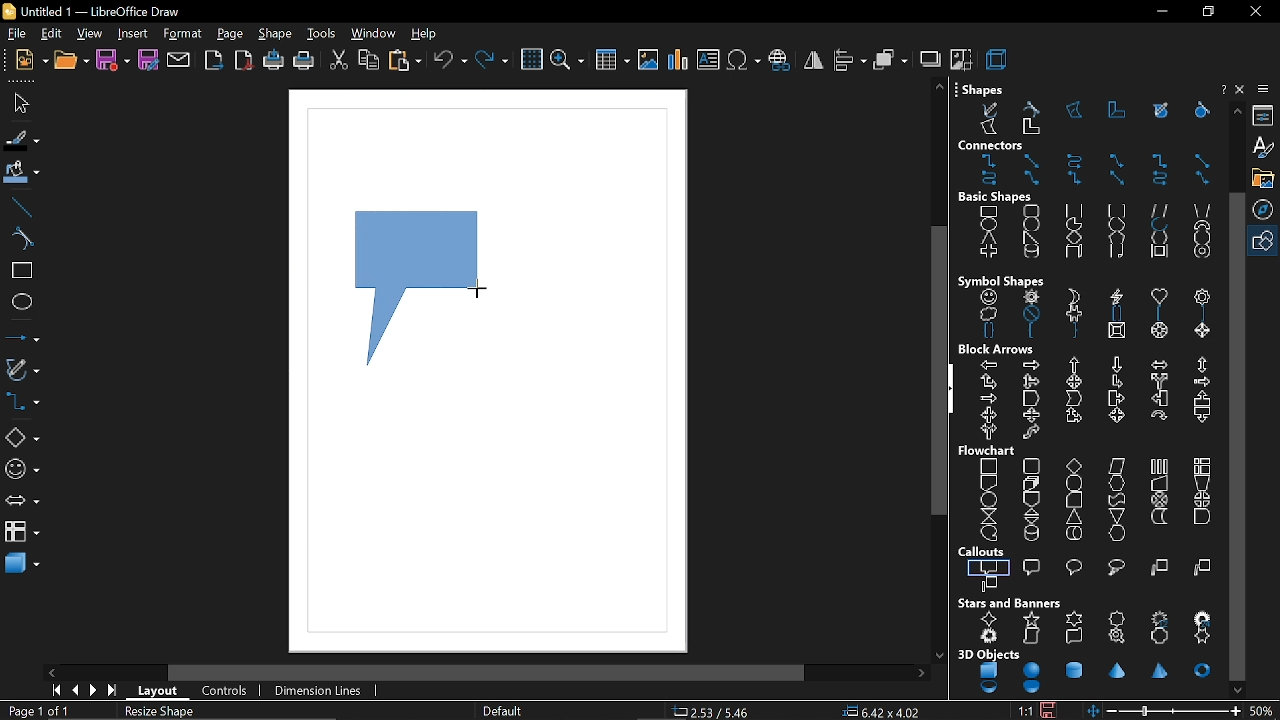 This screenshot has height=720, width=1280. What do you see at coordinates (1201, 499) in the screenshot?
I see `or` at bounding box center [1201, 499].